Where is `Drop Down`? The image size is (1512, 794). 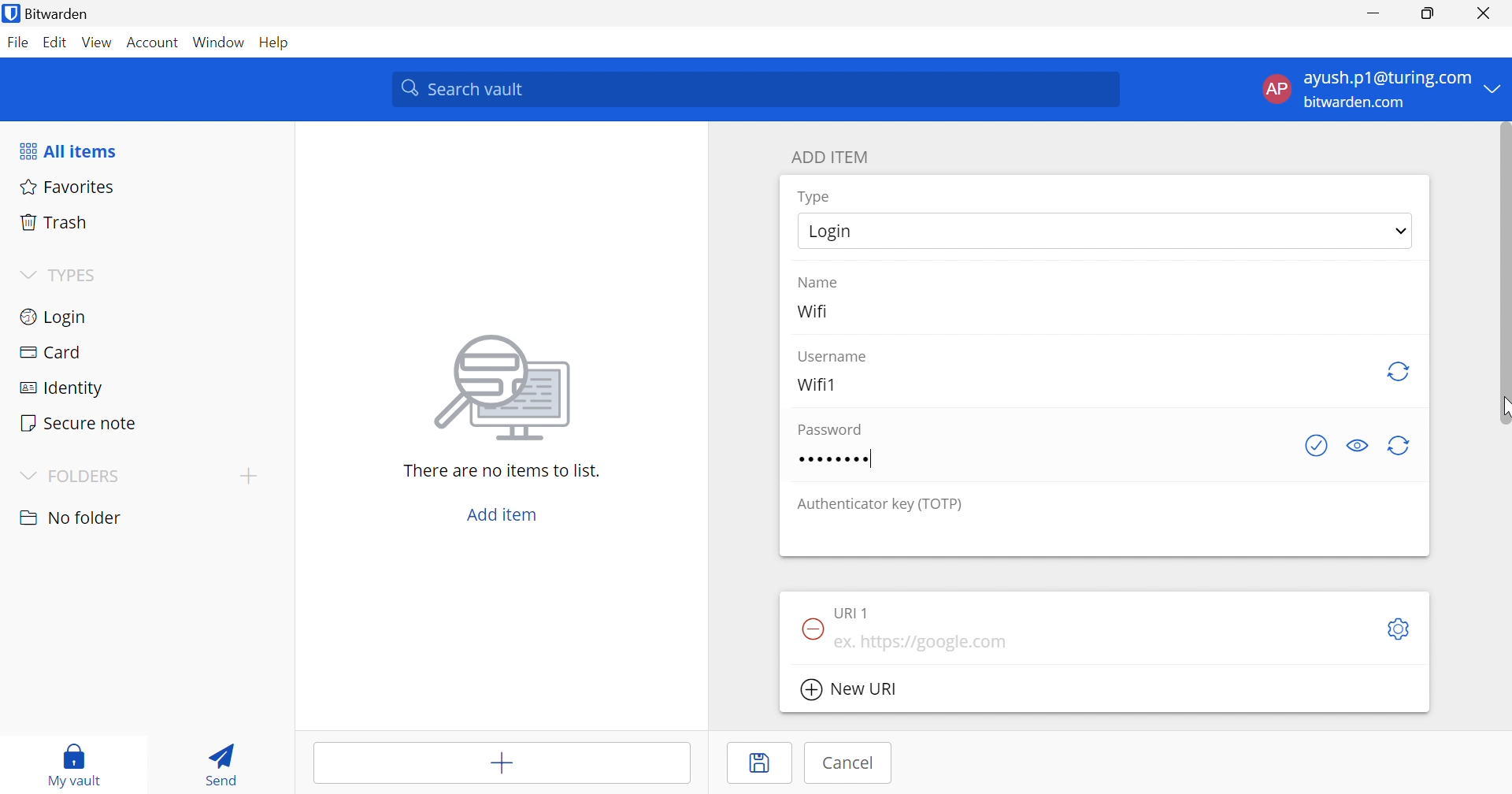 Drop Down is located at coordinates (1494, 87).